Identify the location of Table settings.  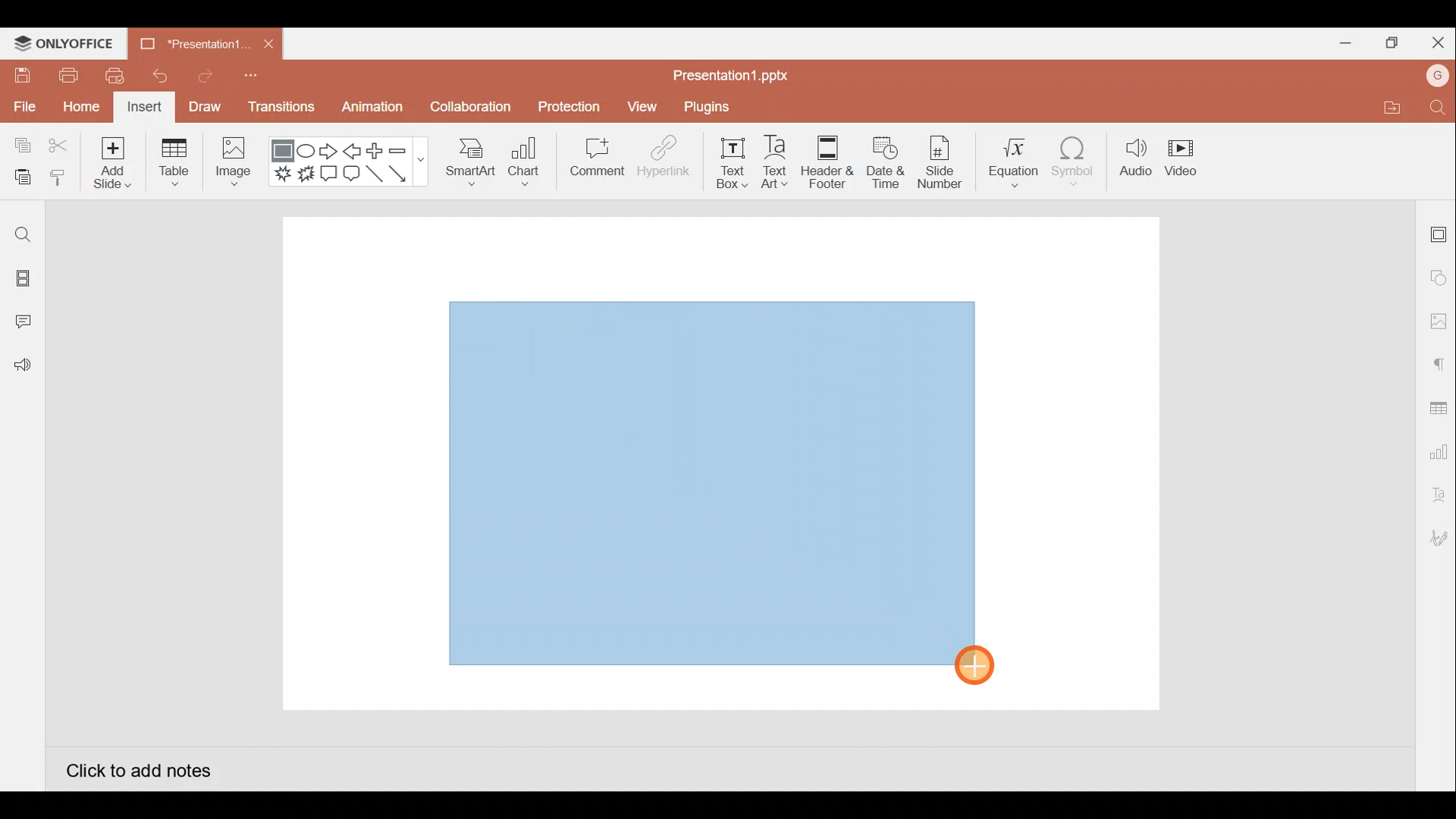
(1435, 406).